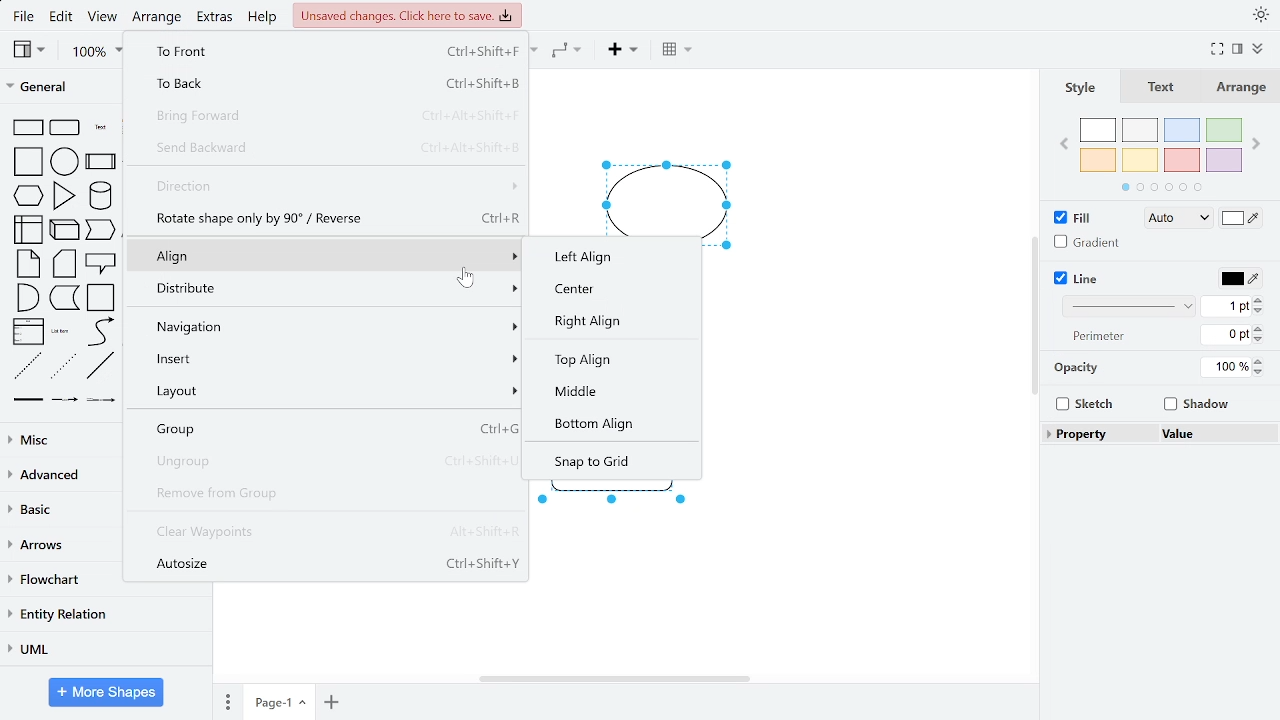 The width and height of the screenshot is (1280, 720). I want to click on insert, so click(621, 52).